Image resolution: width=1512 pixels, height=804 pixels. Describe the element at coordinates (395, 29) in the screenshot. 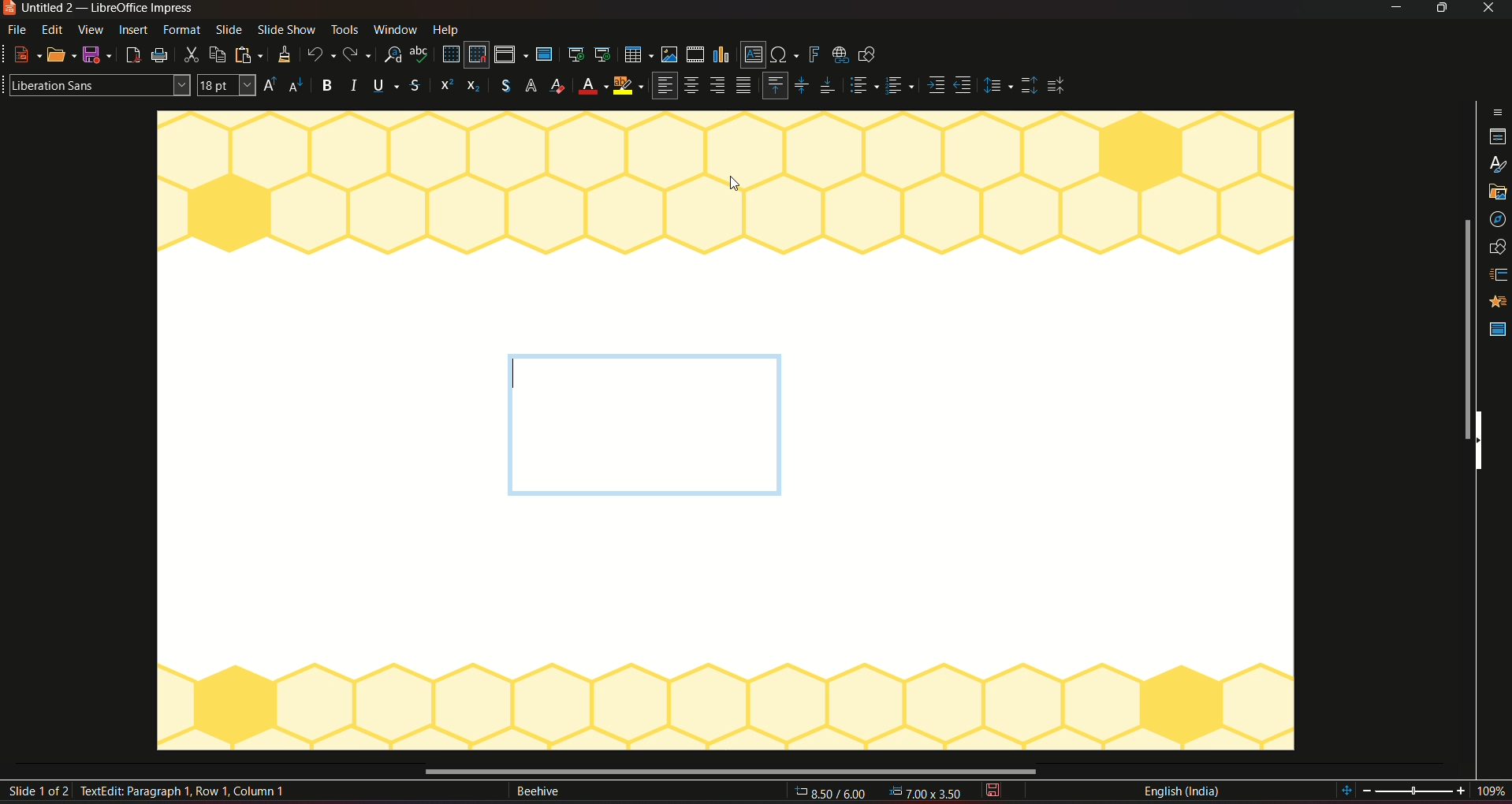

I see `window` at that location.